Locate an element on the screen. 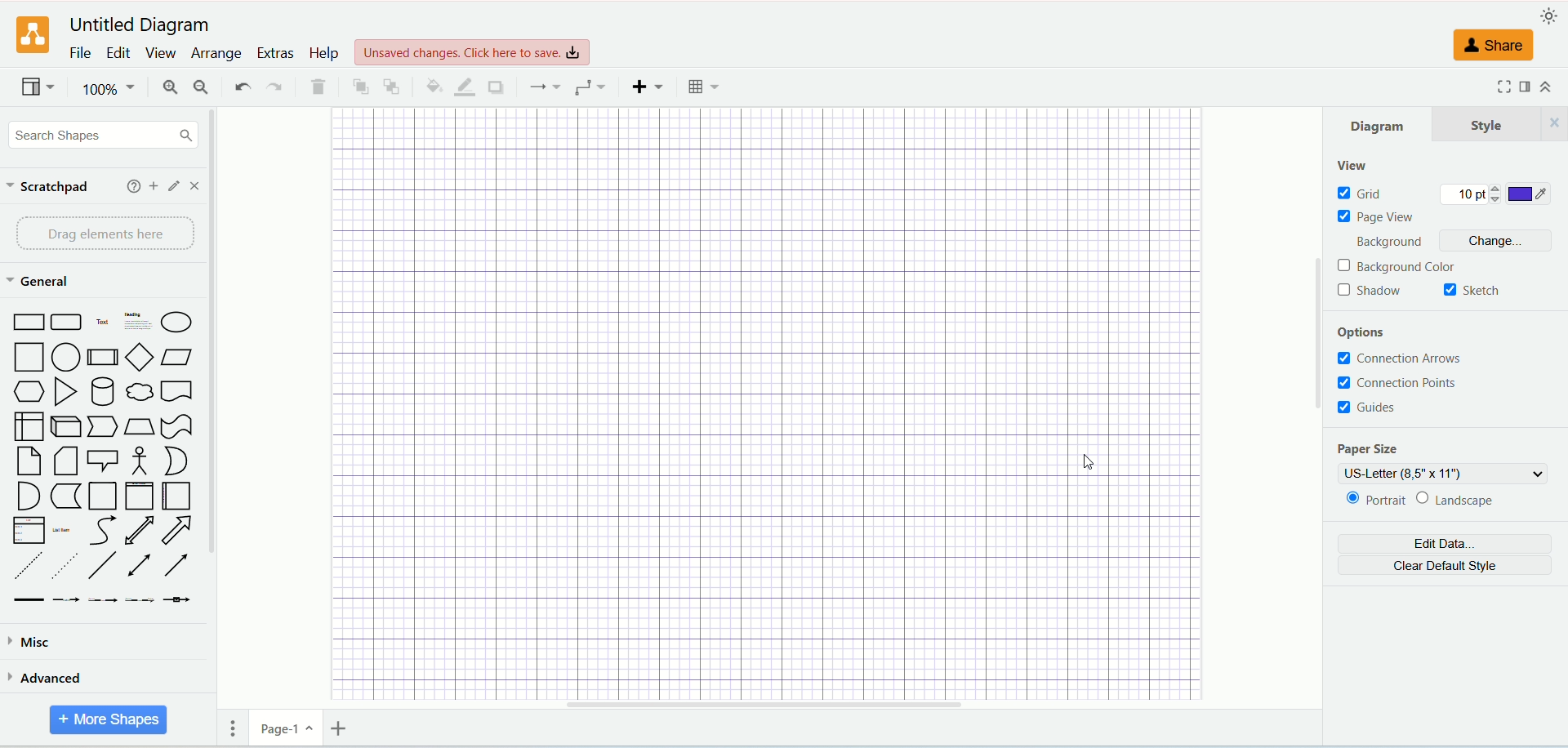 This screenshot has width=1568, height=748. Square is located at coordinates (29, 358).